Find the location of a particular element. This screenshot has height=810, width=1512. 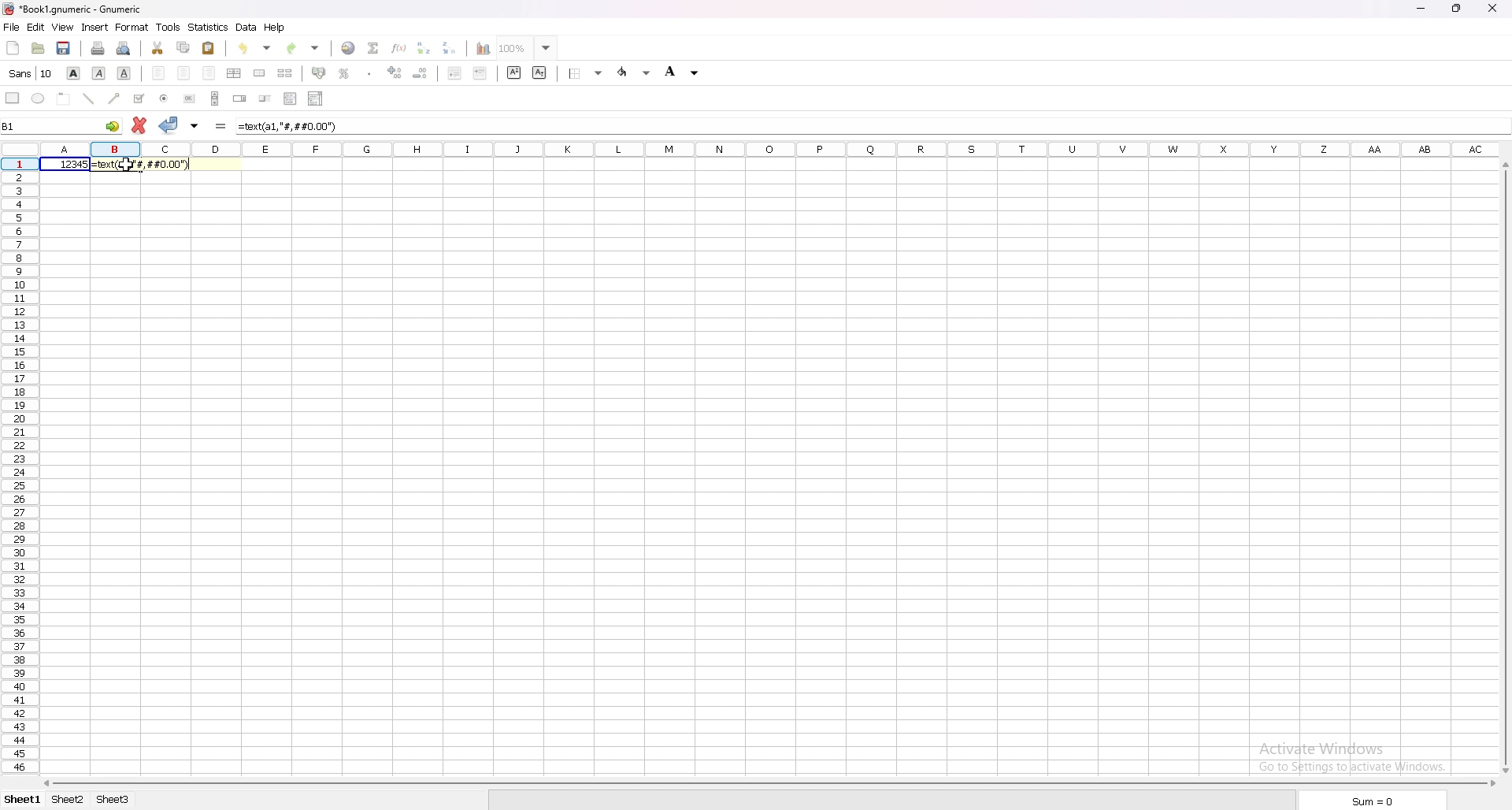

radio button is located at coordinates (164, 98).